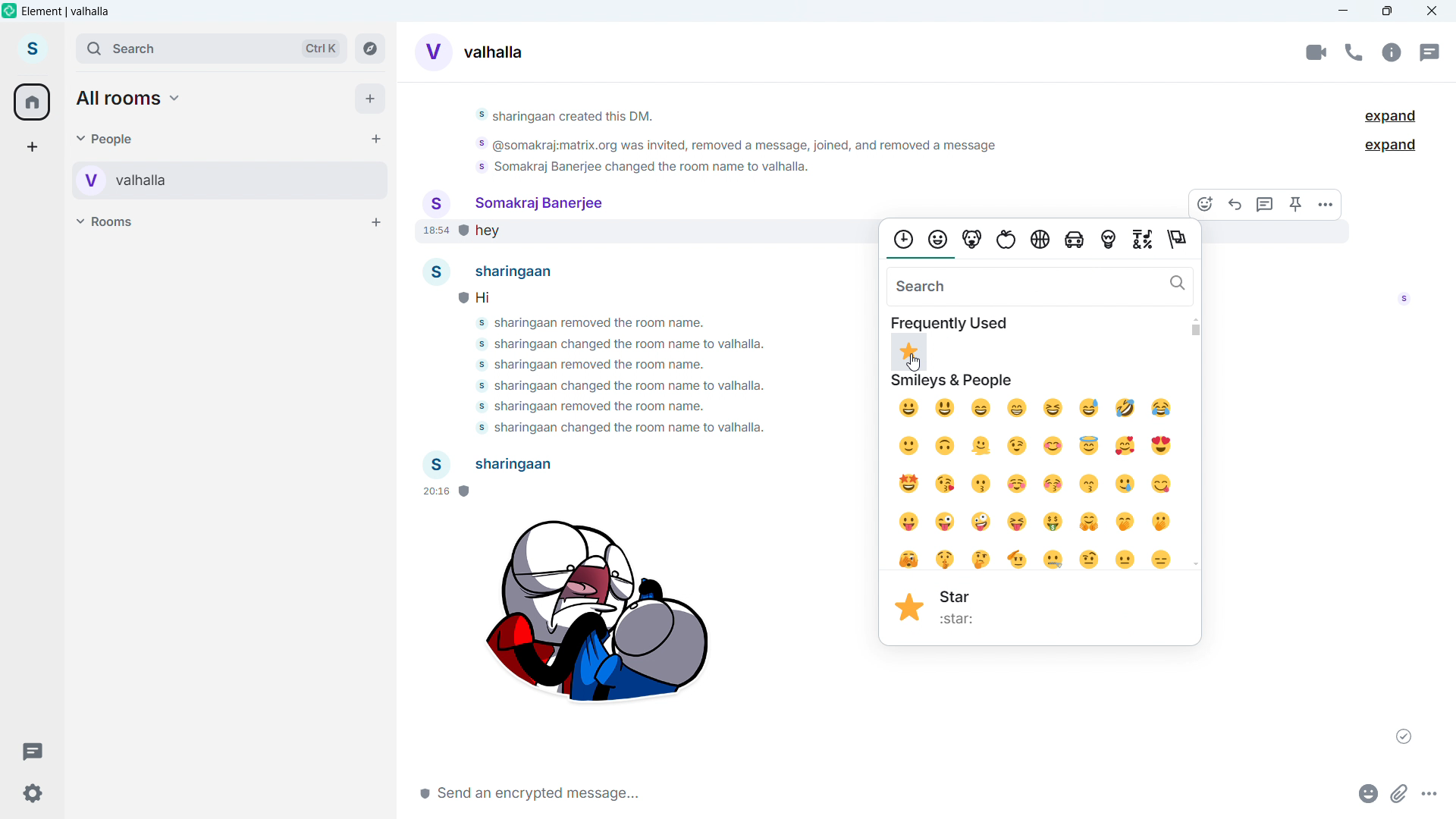 This screenshot has height=819, width=1456. I want to click on reply , so click(1236, 203).